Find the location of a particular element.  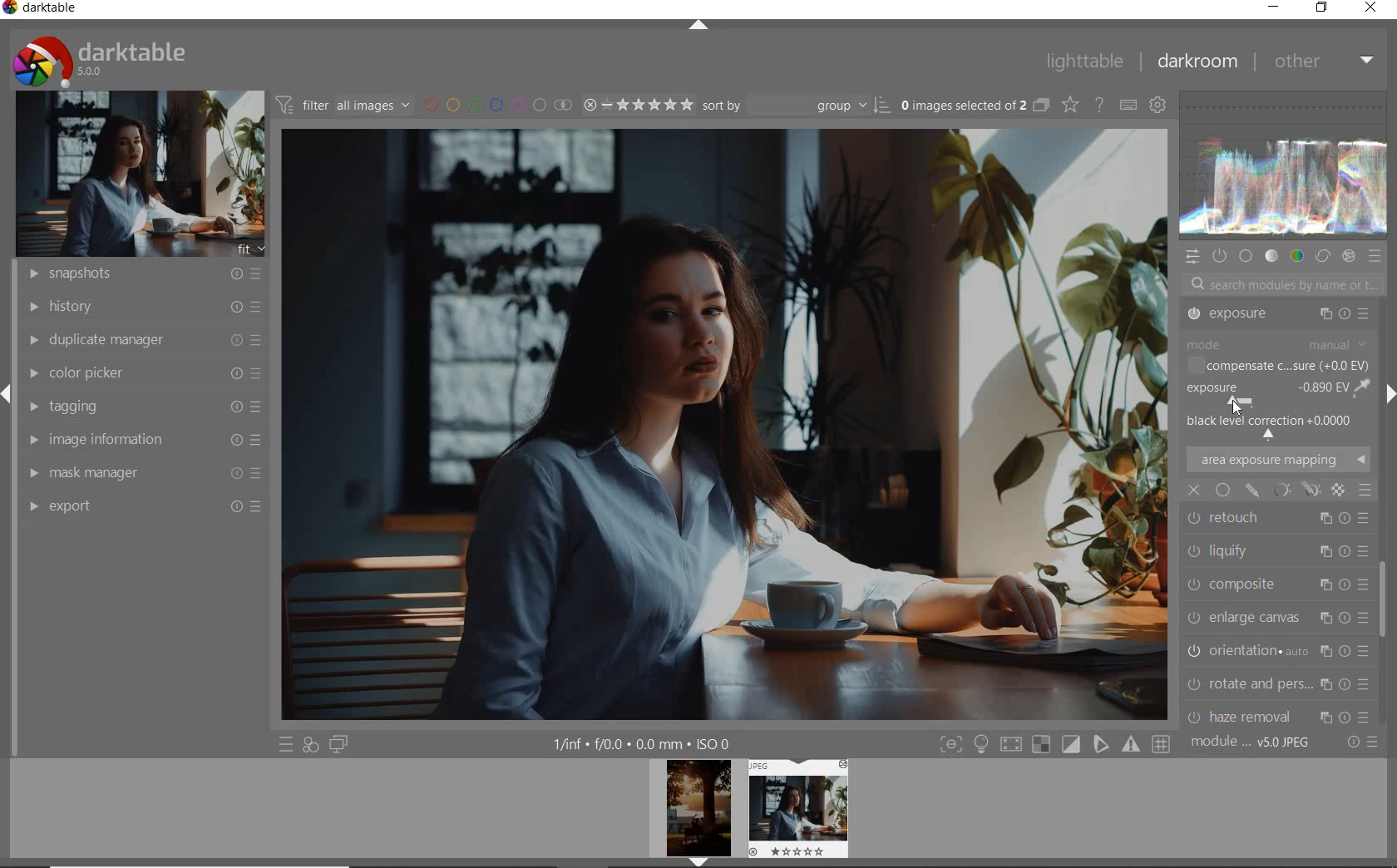

HISTORY is located at coordinates (141, 308).